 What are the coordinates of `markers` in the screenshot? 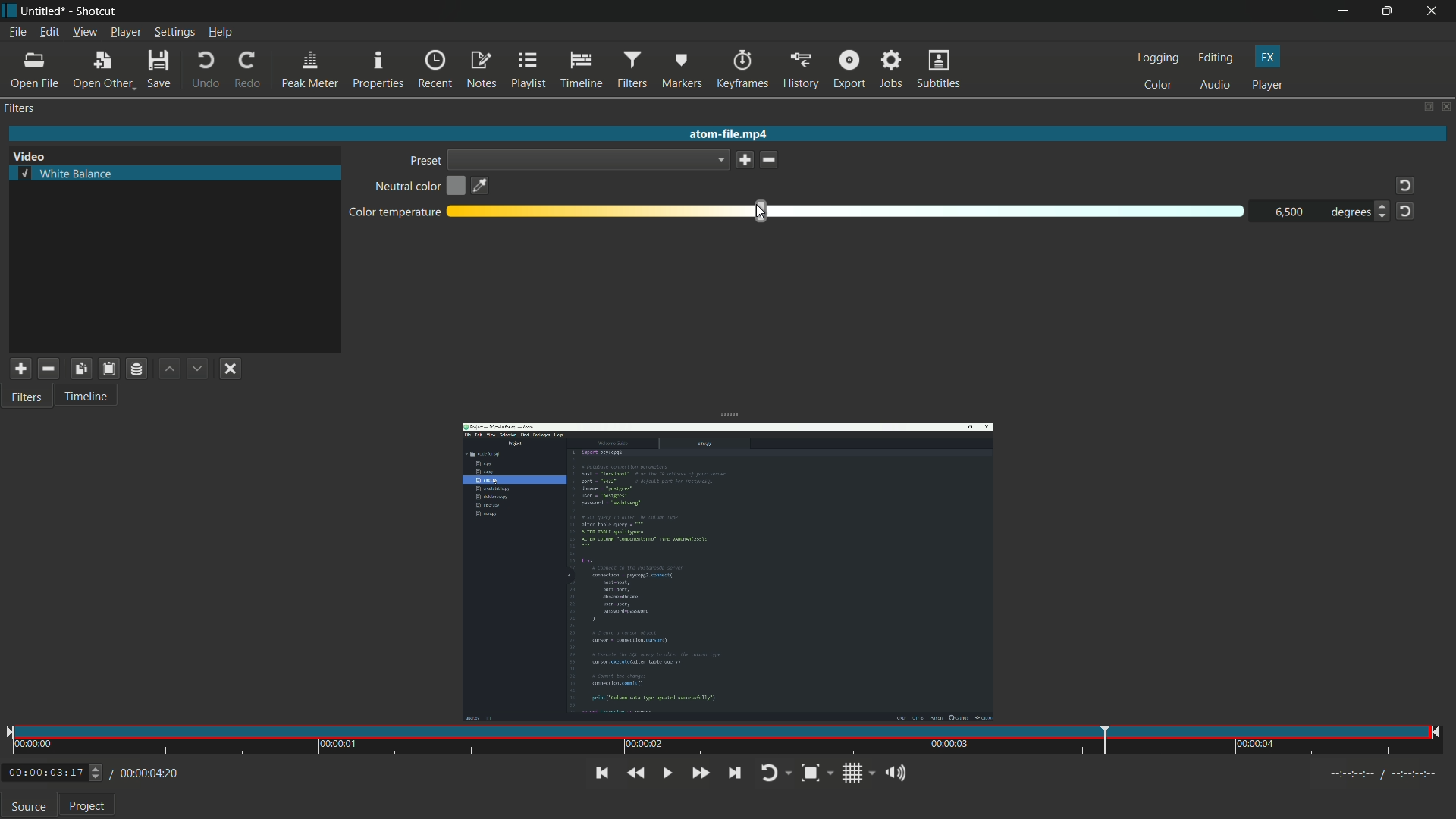 It's located at (682, 70).